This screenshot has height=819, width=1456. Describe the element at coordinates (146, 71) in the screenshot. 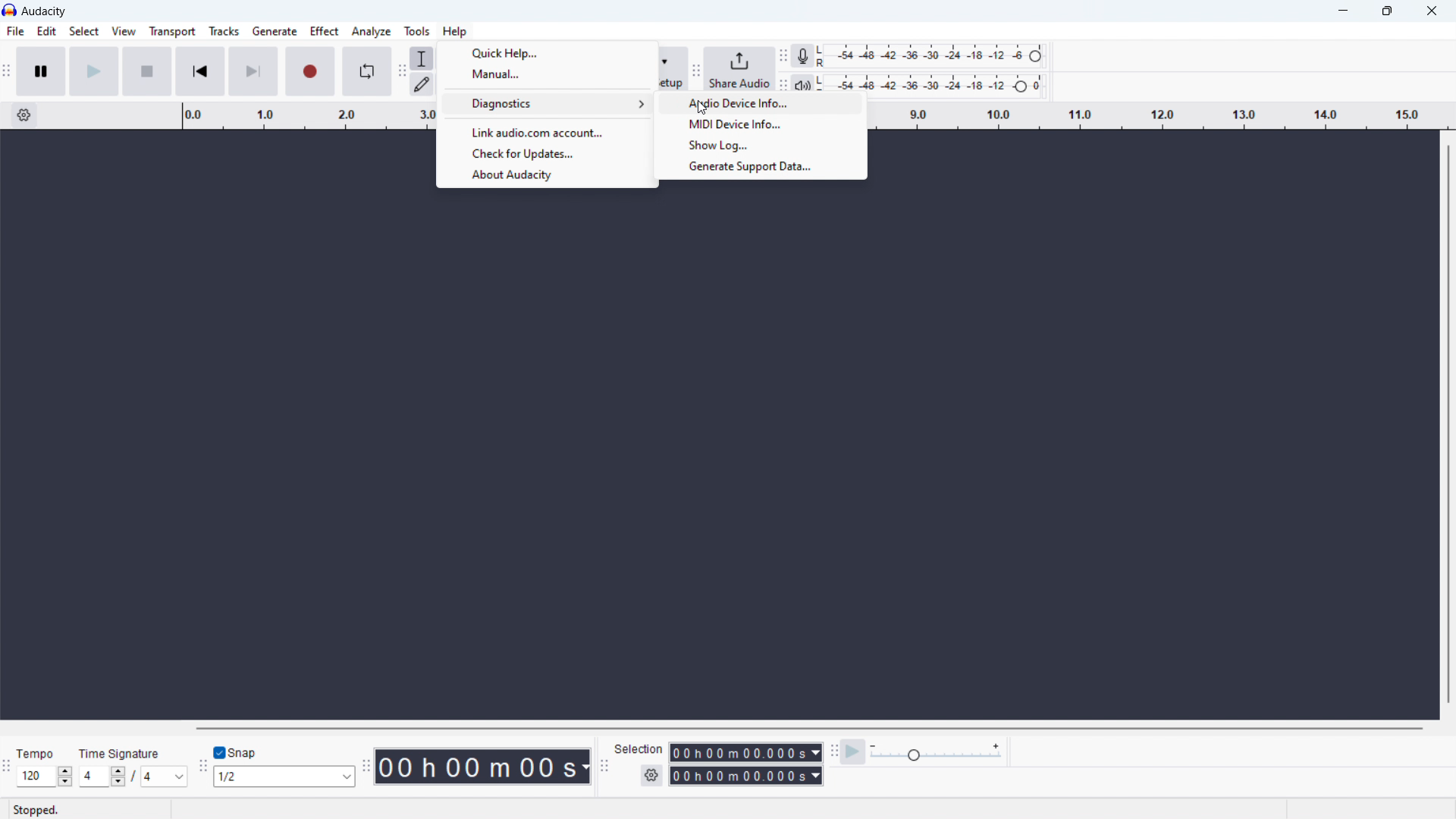

I see `stop` at that location.